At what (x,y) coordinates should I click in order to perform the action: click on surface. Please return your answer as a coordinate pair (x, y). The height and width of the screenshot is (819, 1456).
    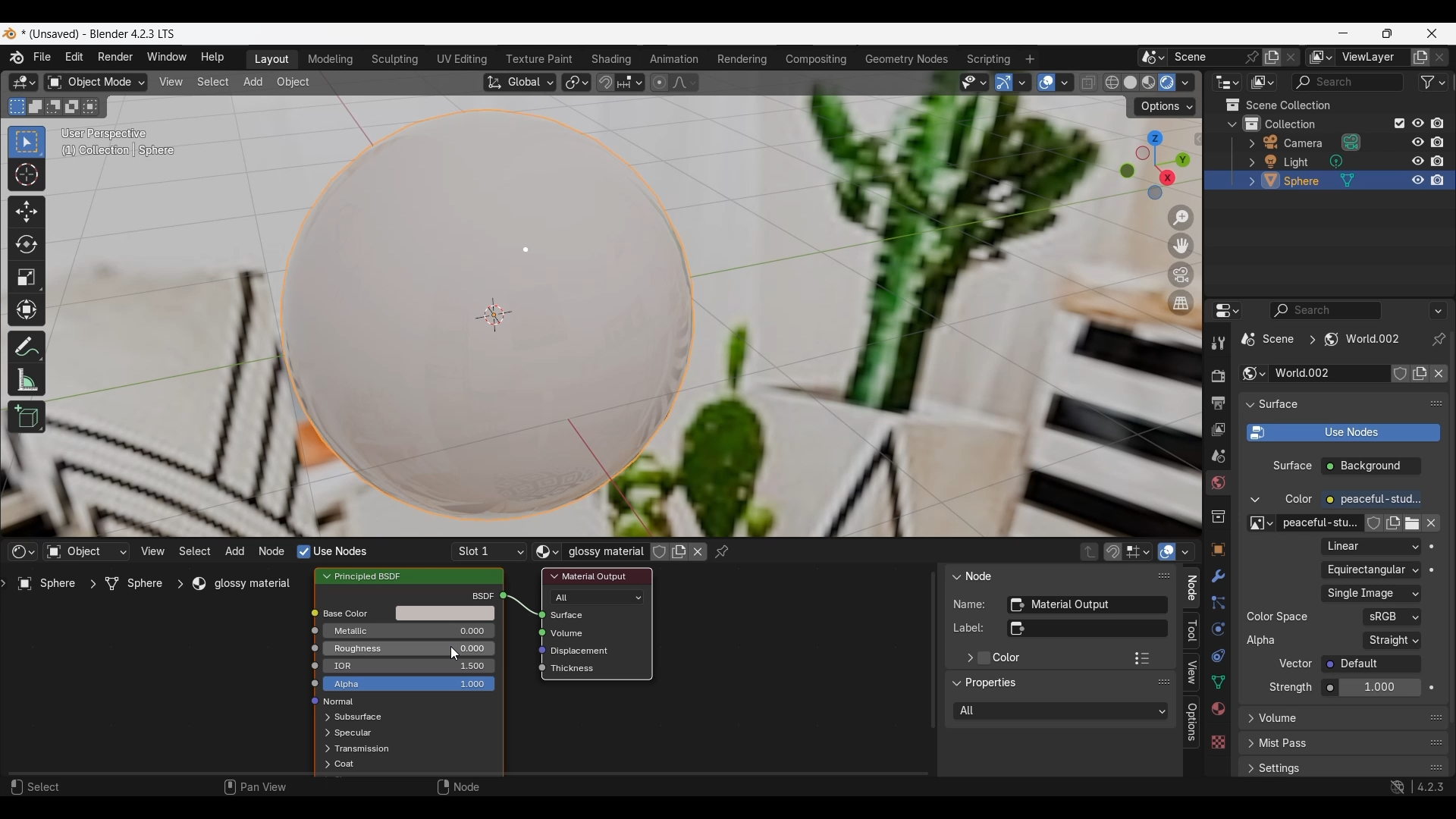
    Looking at the image, I should click on (1281, 404).